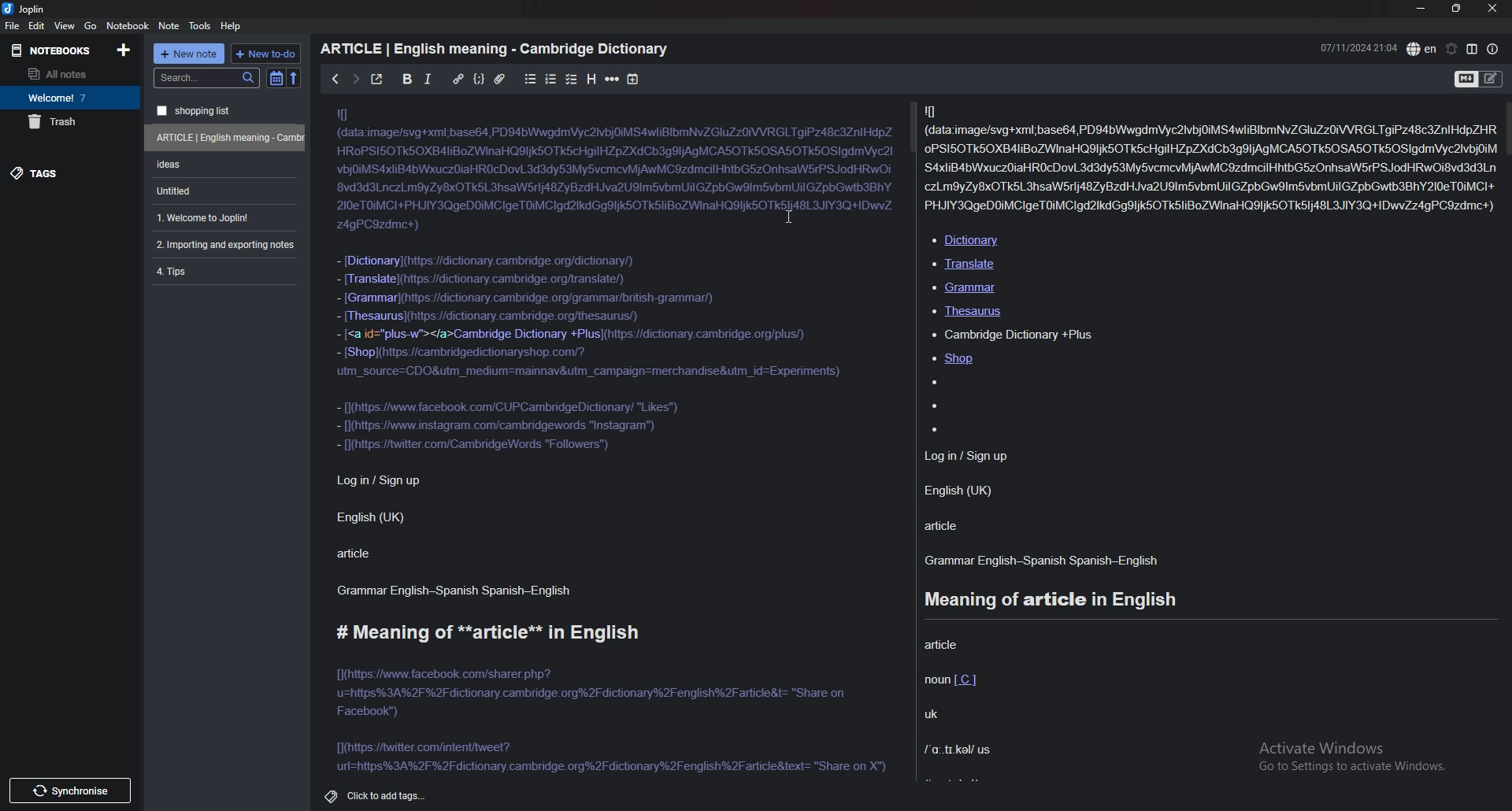 This screenshot has height=811, width=1512. I want to click on checkbox, so click(571, 79).